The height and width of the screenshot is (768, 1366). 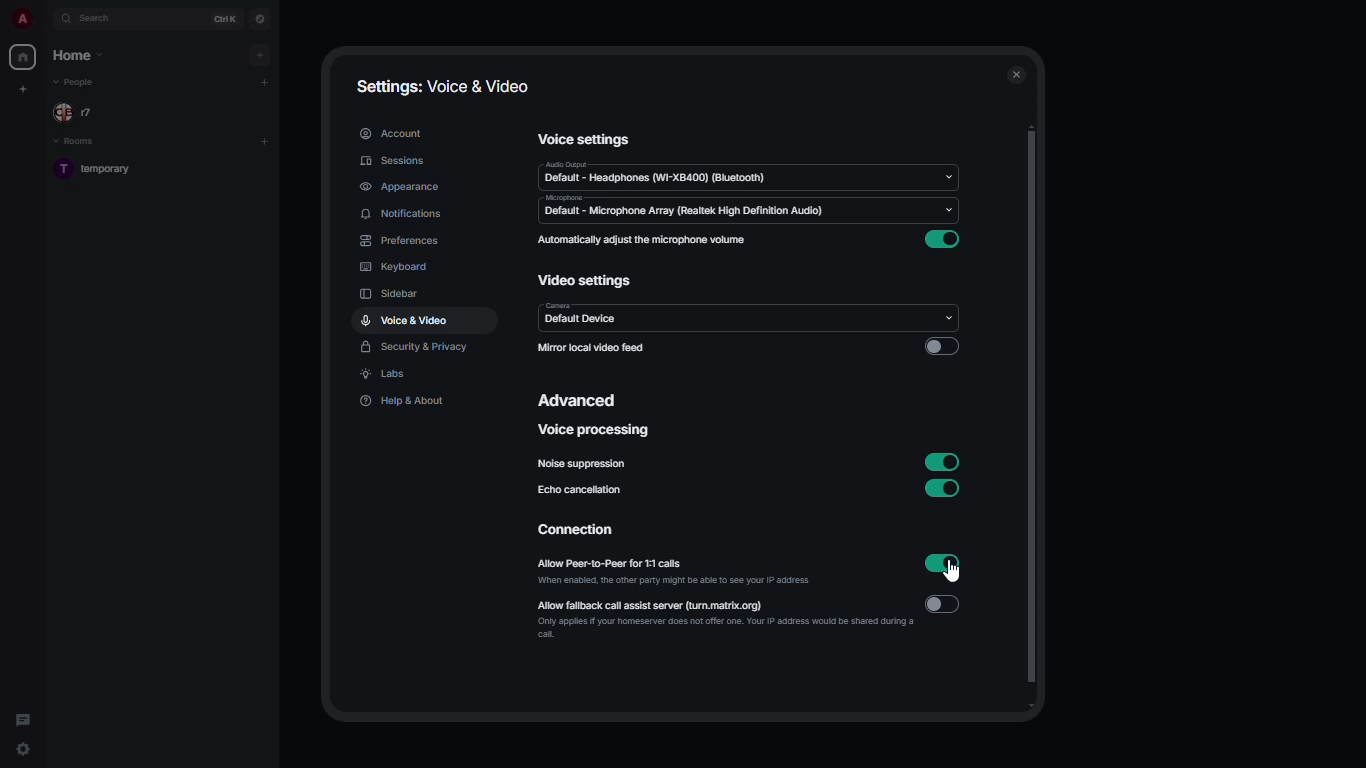 I want to click on preferences, so click(x=398, y=241).